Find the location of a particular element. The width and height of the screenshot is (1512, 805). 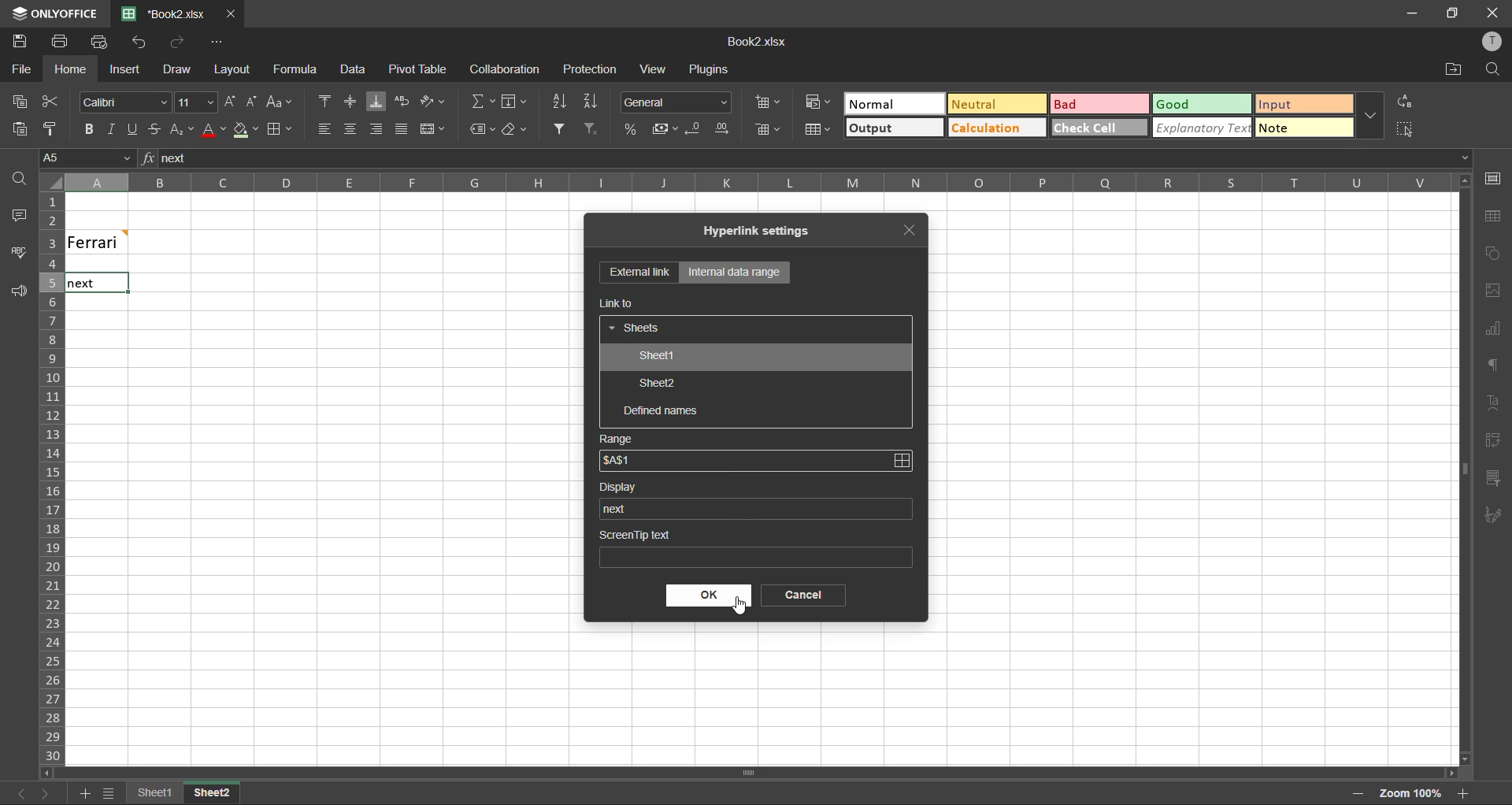

check cell is located at coordinates (1099, 127).